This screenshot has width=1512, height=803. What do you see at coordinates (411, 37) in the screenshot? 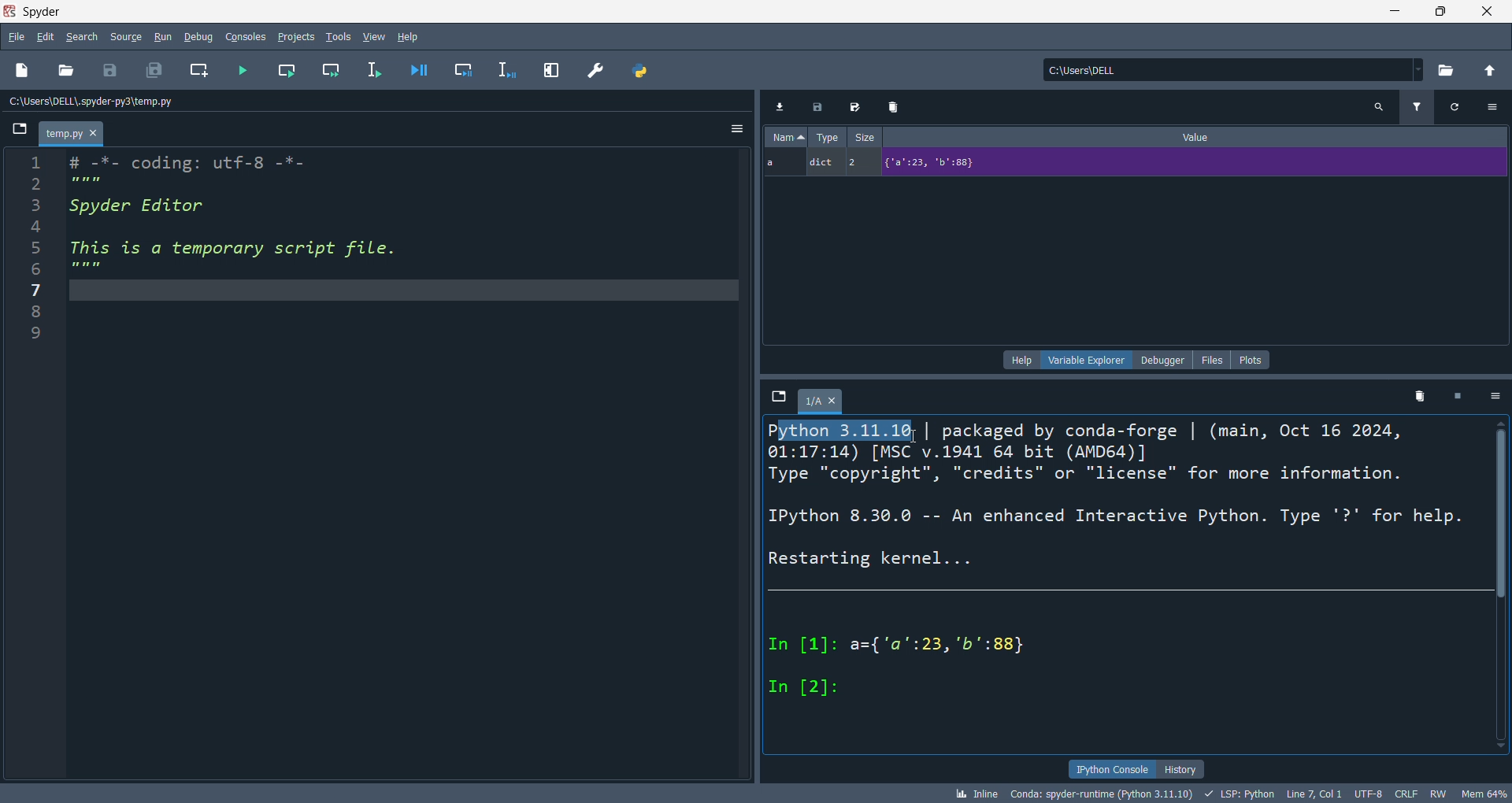
I see `help` at bounding box center [411, 37].